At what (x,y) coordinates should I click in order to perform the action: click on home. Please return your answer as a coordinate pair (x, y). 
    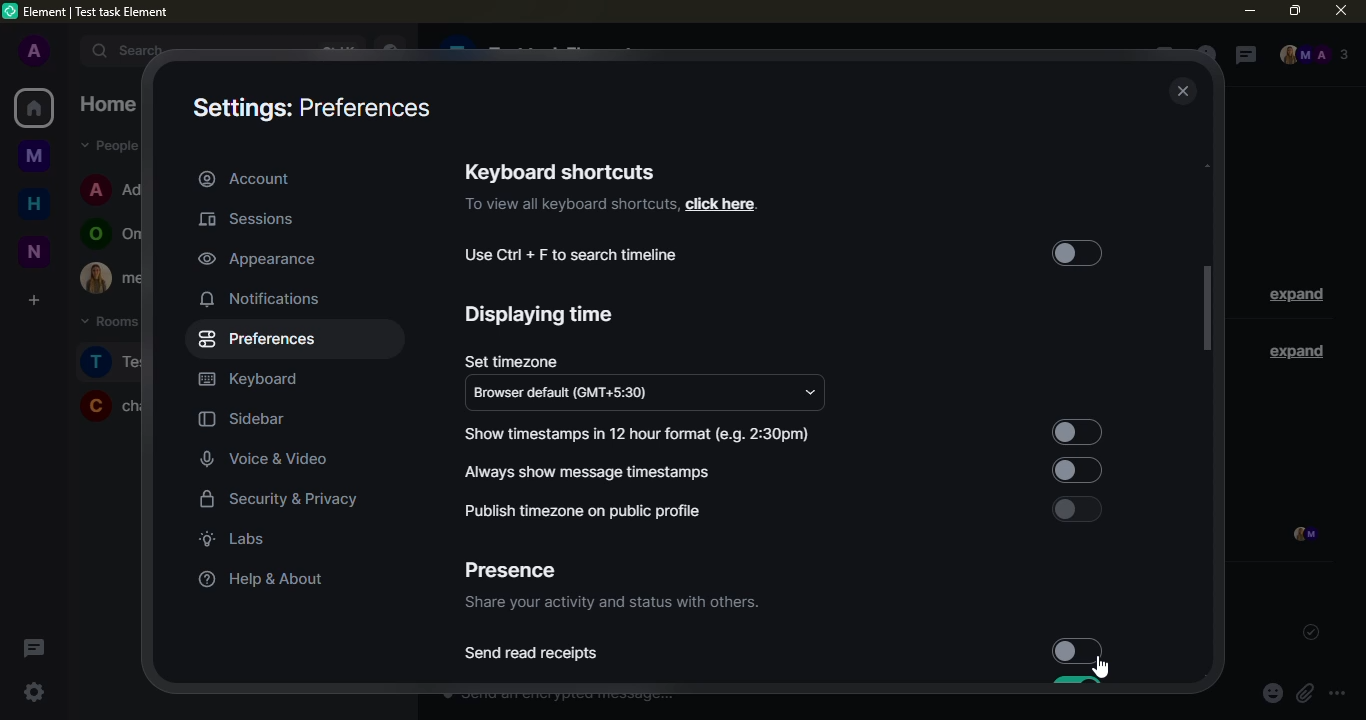
    Looking at the image, I should click on (35, 201).